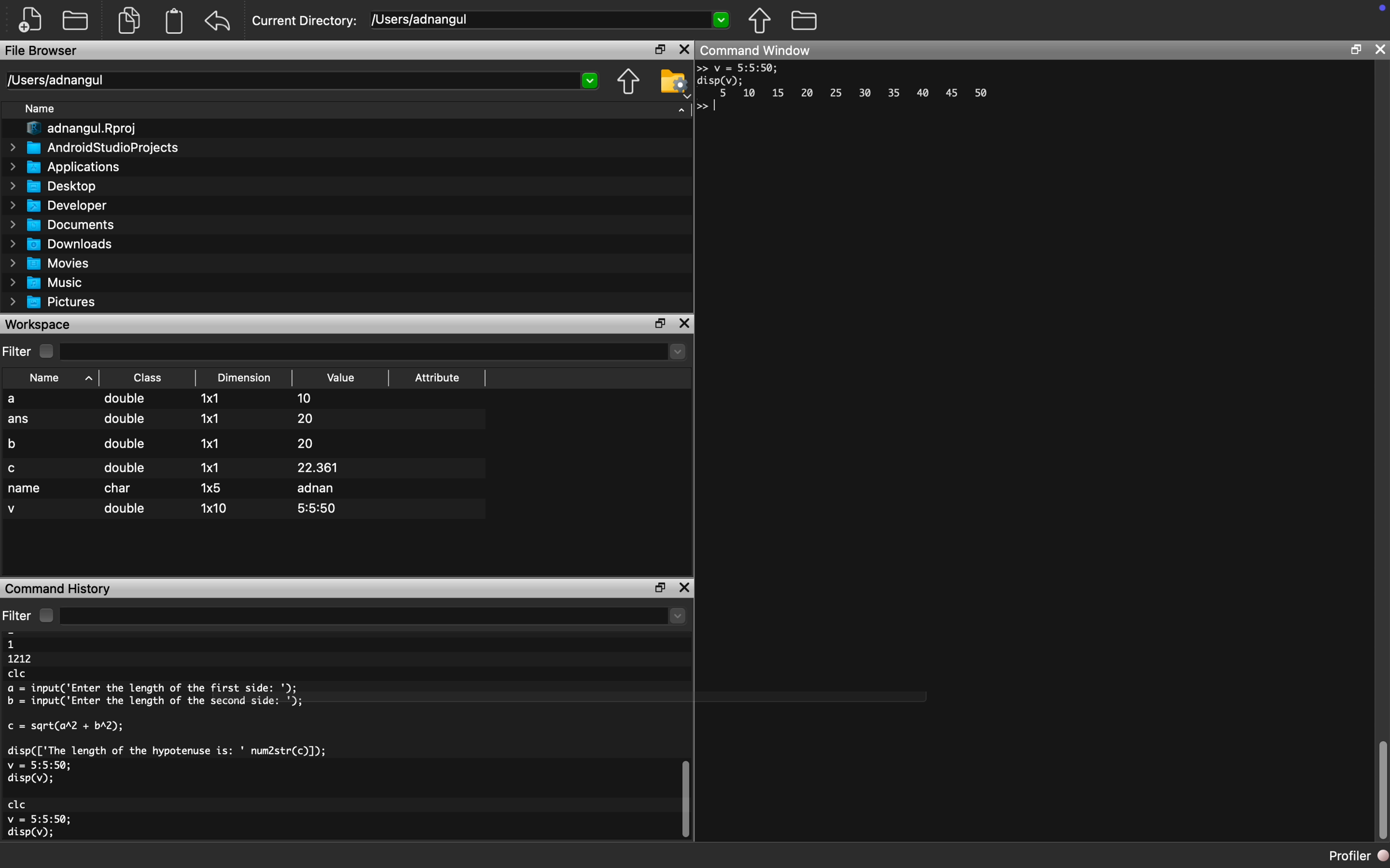 The width and height of the screenshot is (1390, 868). Describe the element at coordinates (173, 21) in the screenshot. I see `Clipboard` at that location.